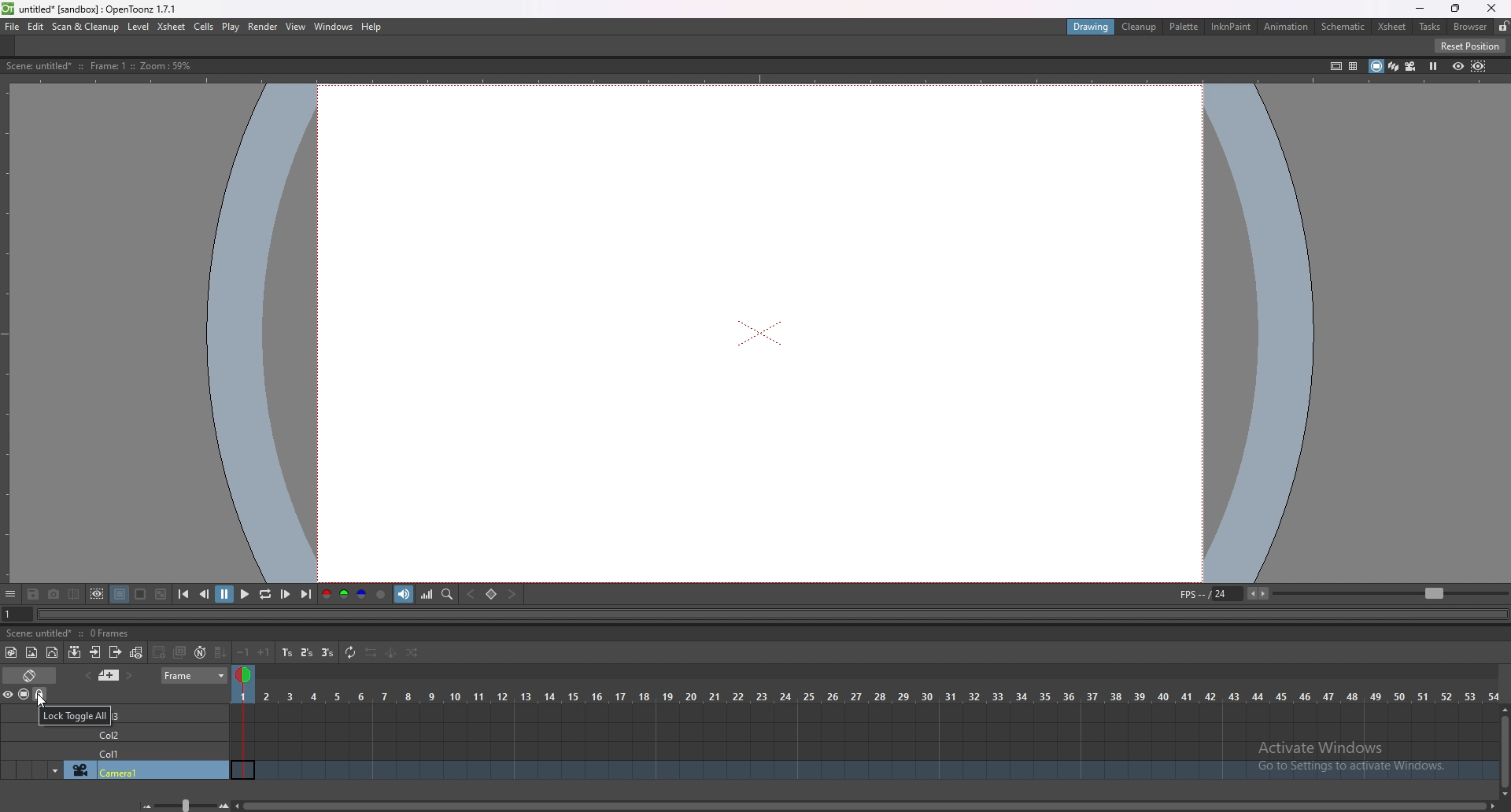 This screenshot has width=1511, height=812. I want to click on file, so click(13, 27).